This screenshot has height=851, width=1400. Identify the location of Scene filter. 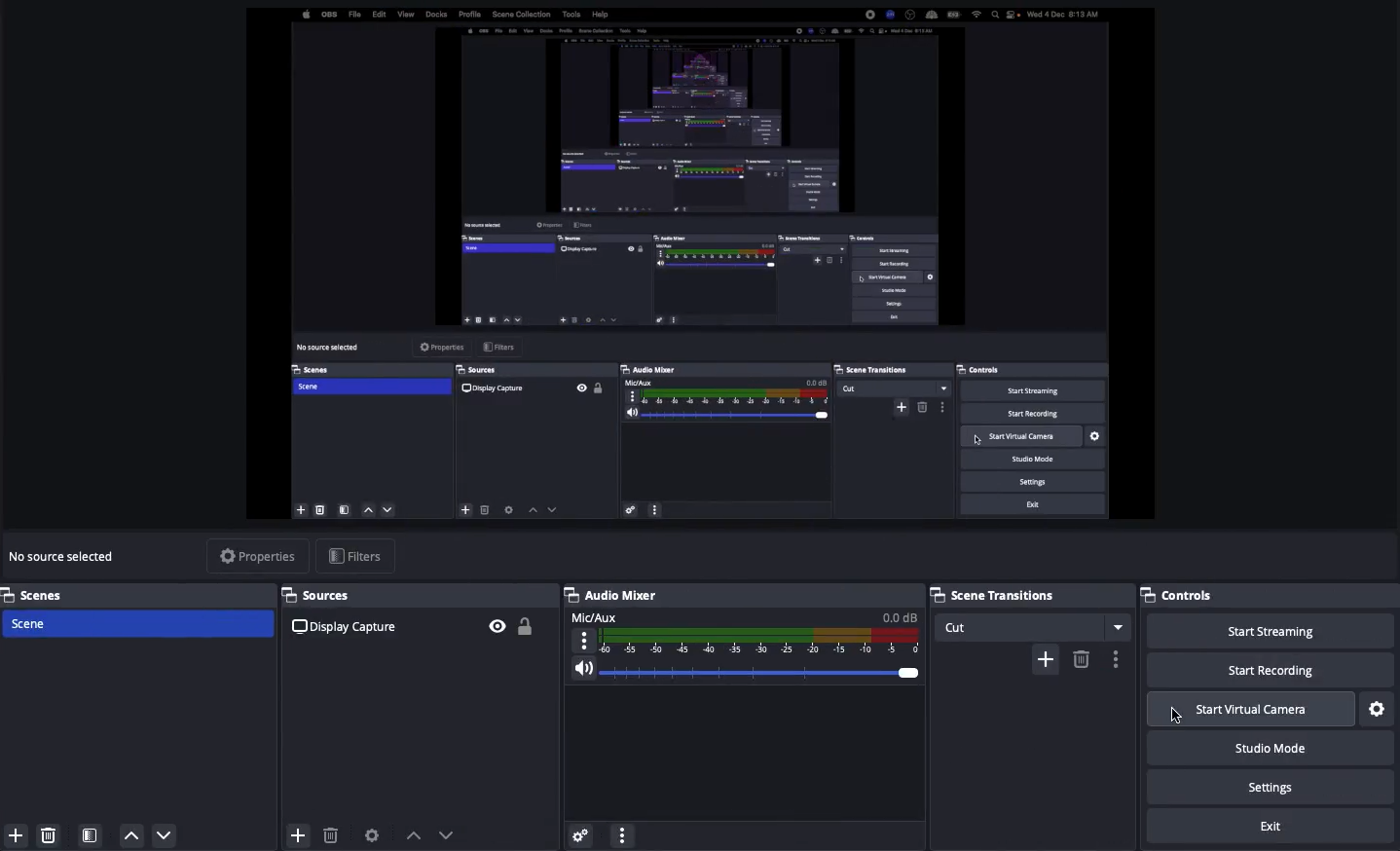
(91, 836).